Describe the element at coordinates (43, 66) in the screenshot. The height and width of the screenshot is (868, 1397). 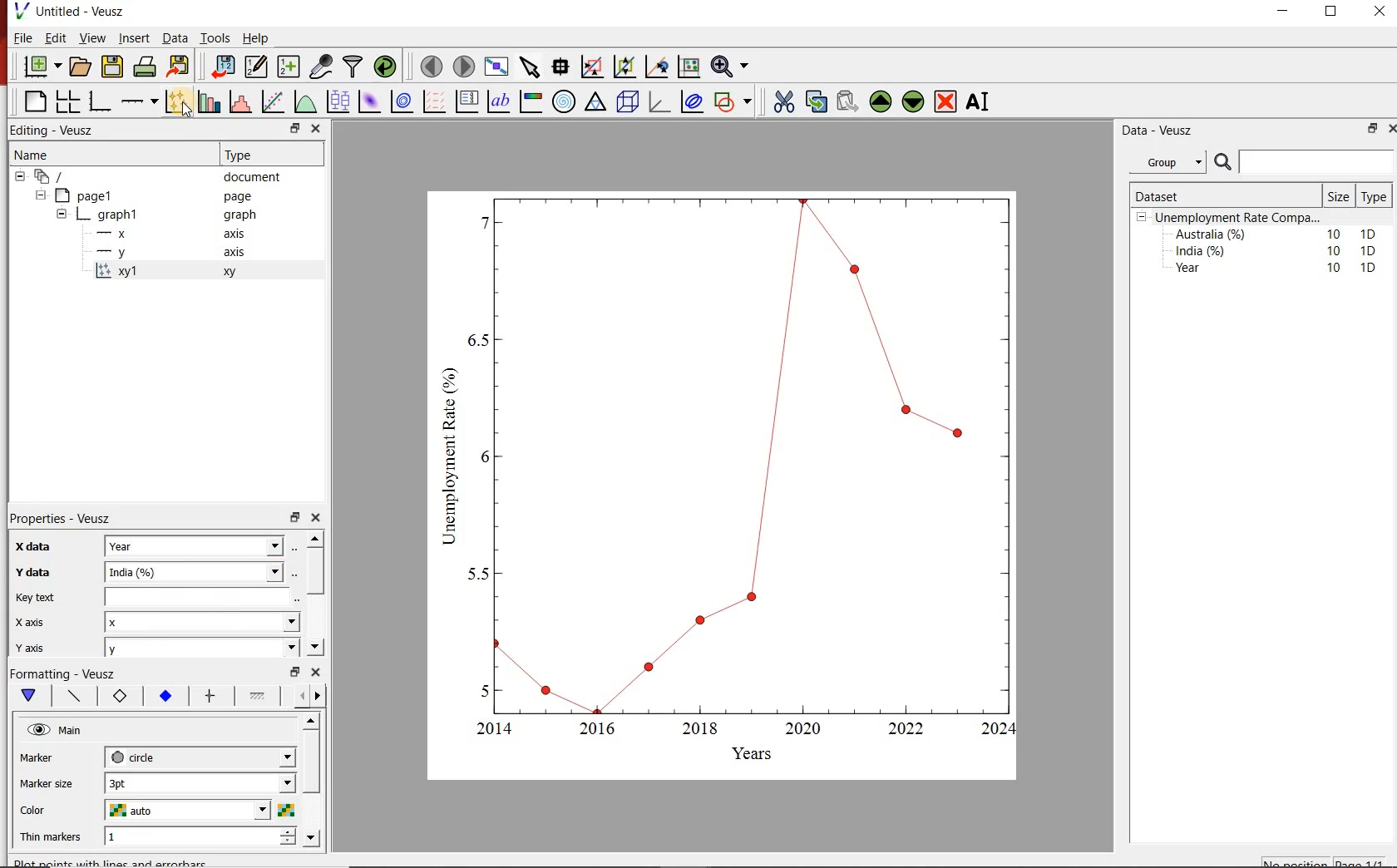
I see `new document` at that location.